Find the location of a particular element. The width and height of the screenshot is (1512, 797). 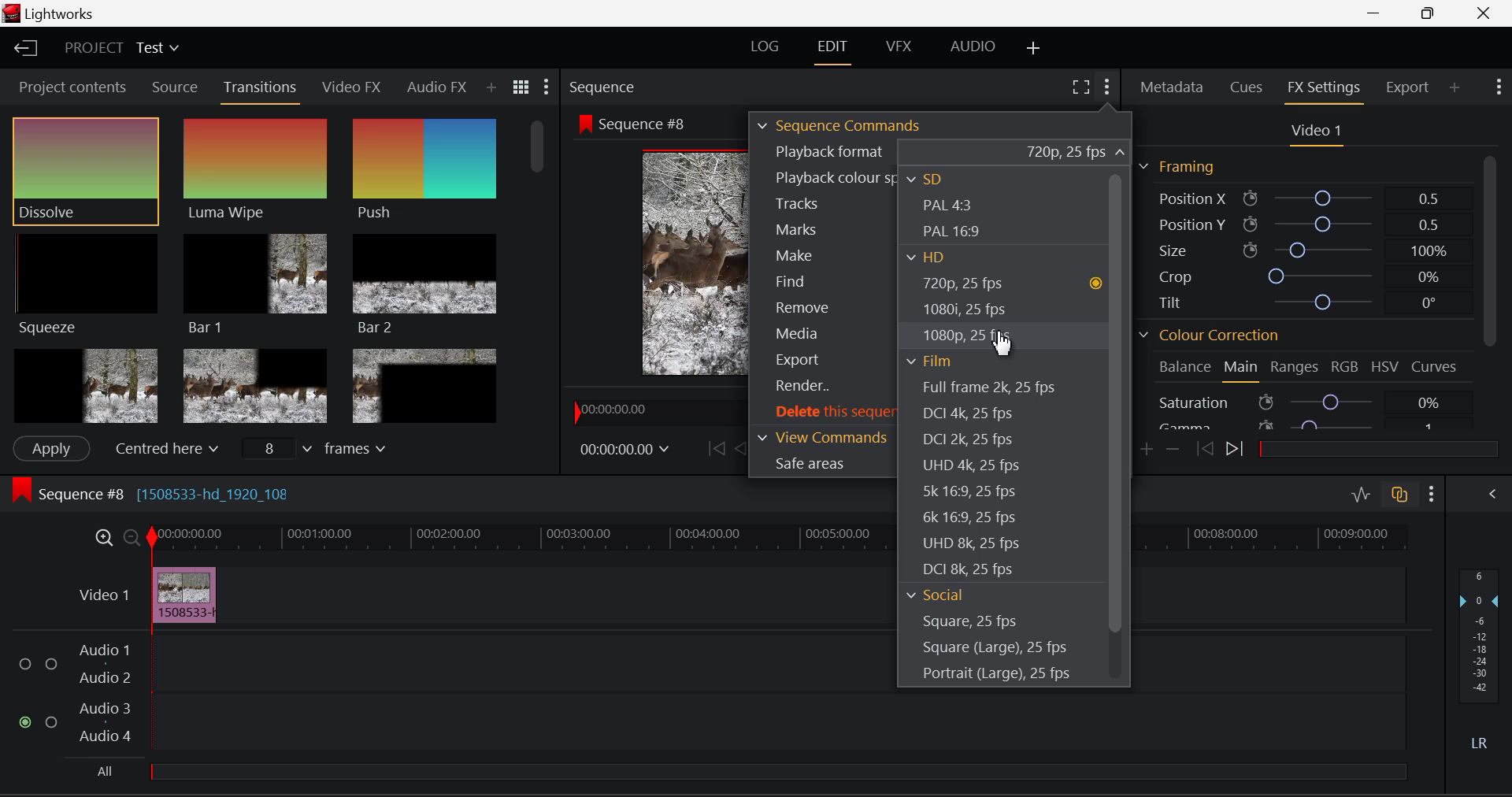

EDIT Layout is located at coordinates (832, 50).